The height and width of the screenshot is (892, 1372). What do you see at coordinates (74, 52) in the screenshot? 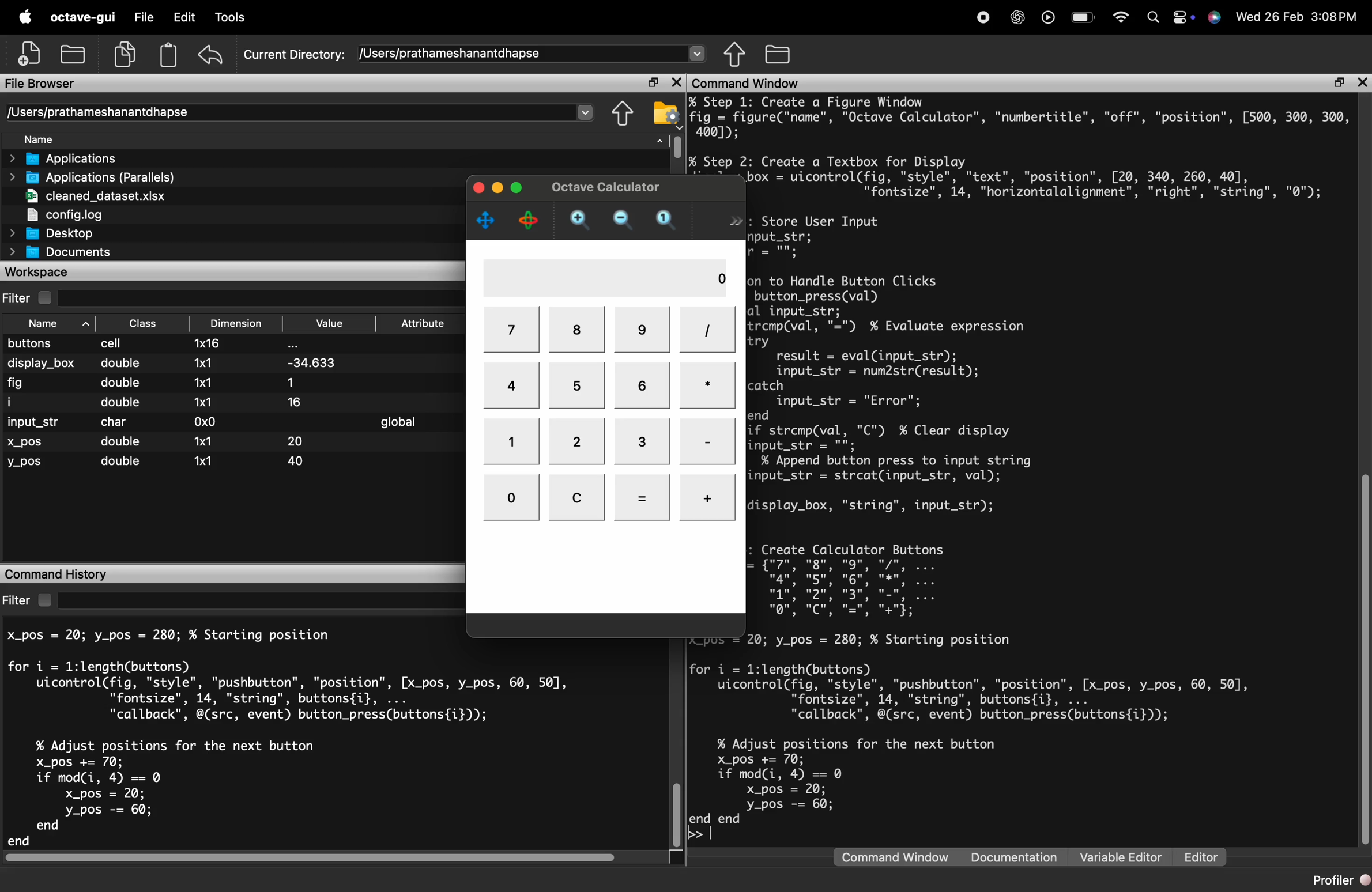
I see `open an existing file in an editor` at bounding box center [74, 52].